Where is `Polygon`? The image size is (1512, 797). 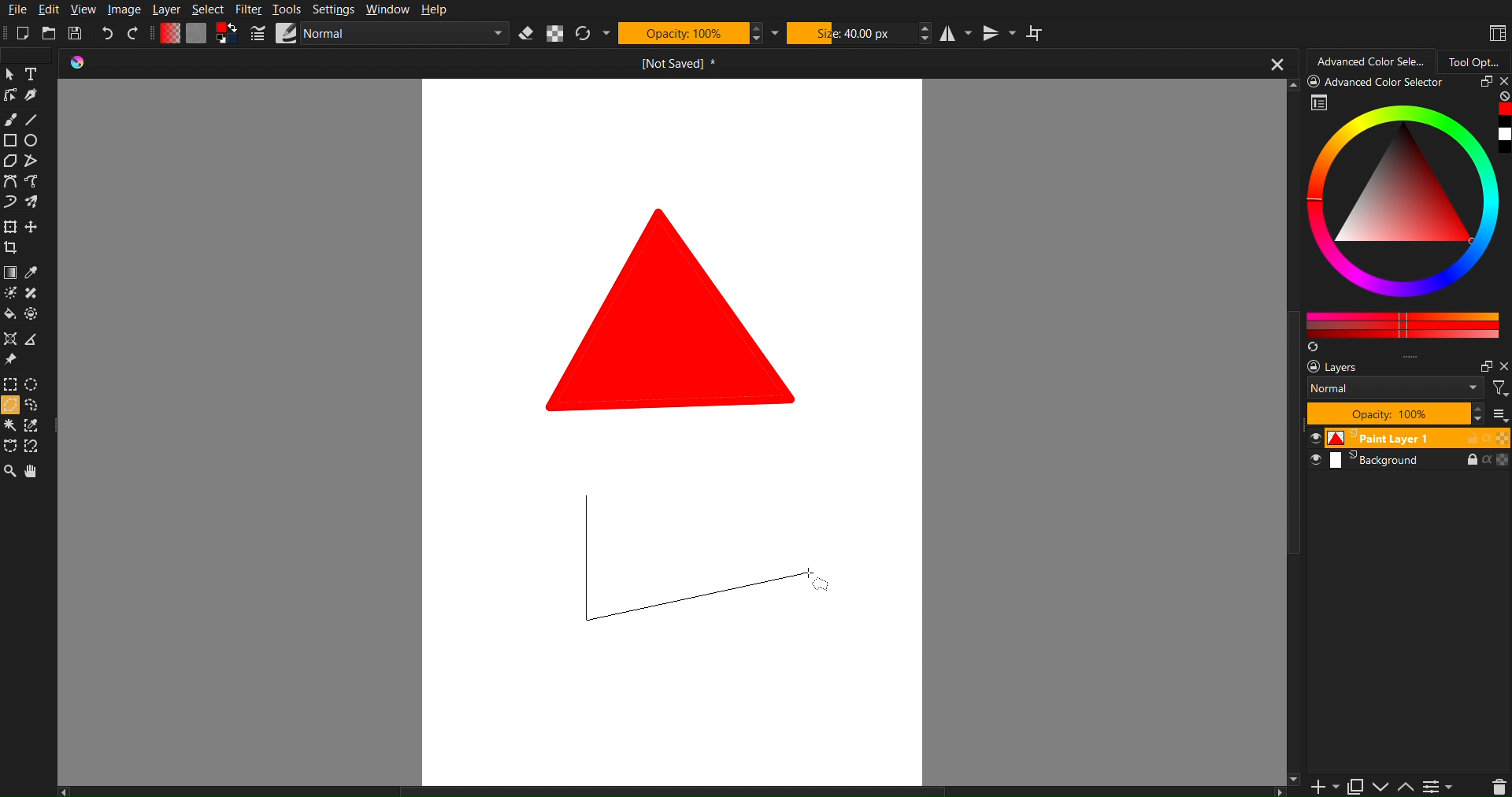 Polygon is located at coordinates (9, 161).